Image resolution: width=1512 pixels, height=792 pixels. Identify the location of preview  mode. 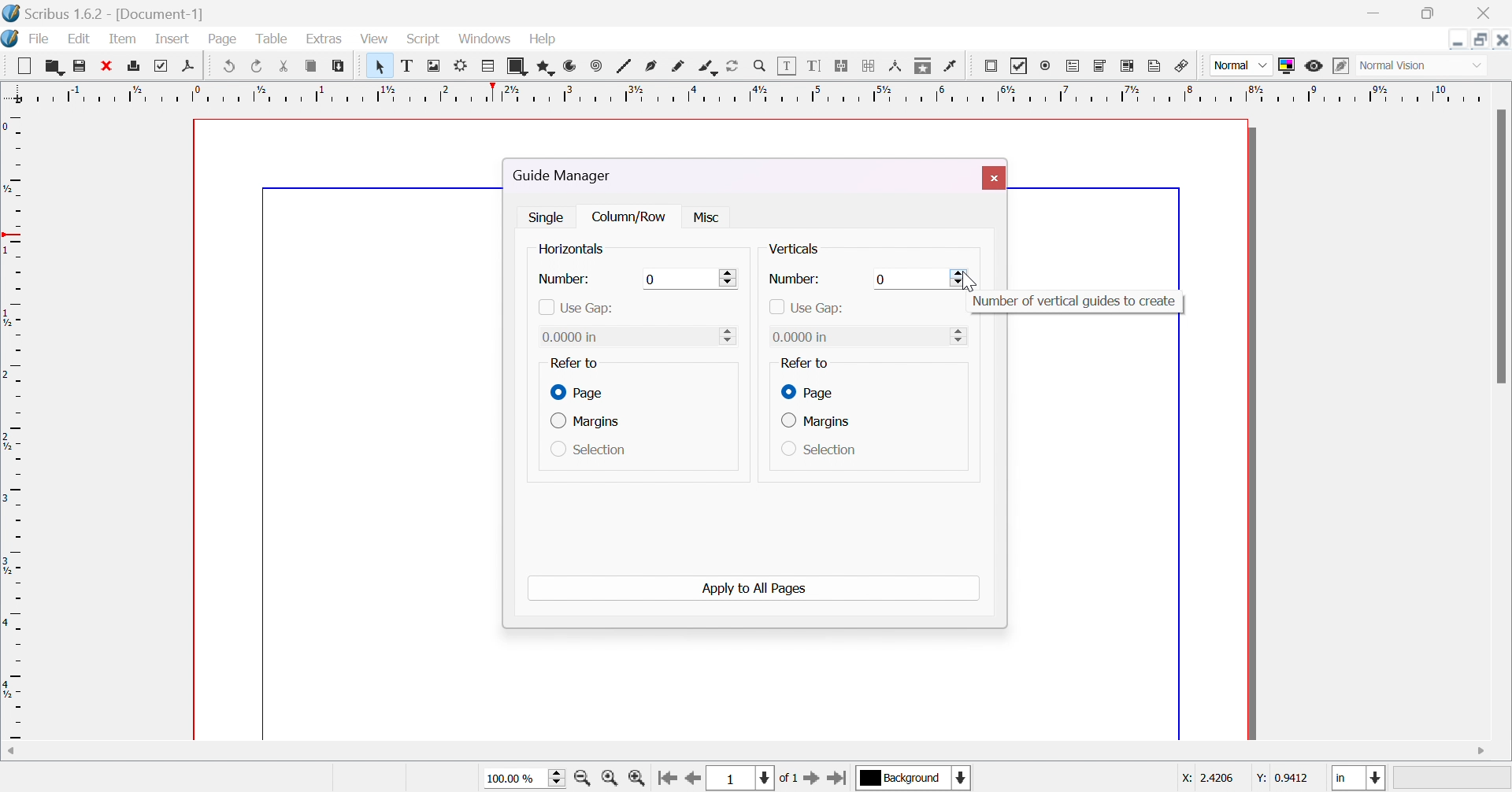
(1314, 66).